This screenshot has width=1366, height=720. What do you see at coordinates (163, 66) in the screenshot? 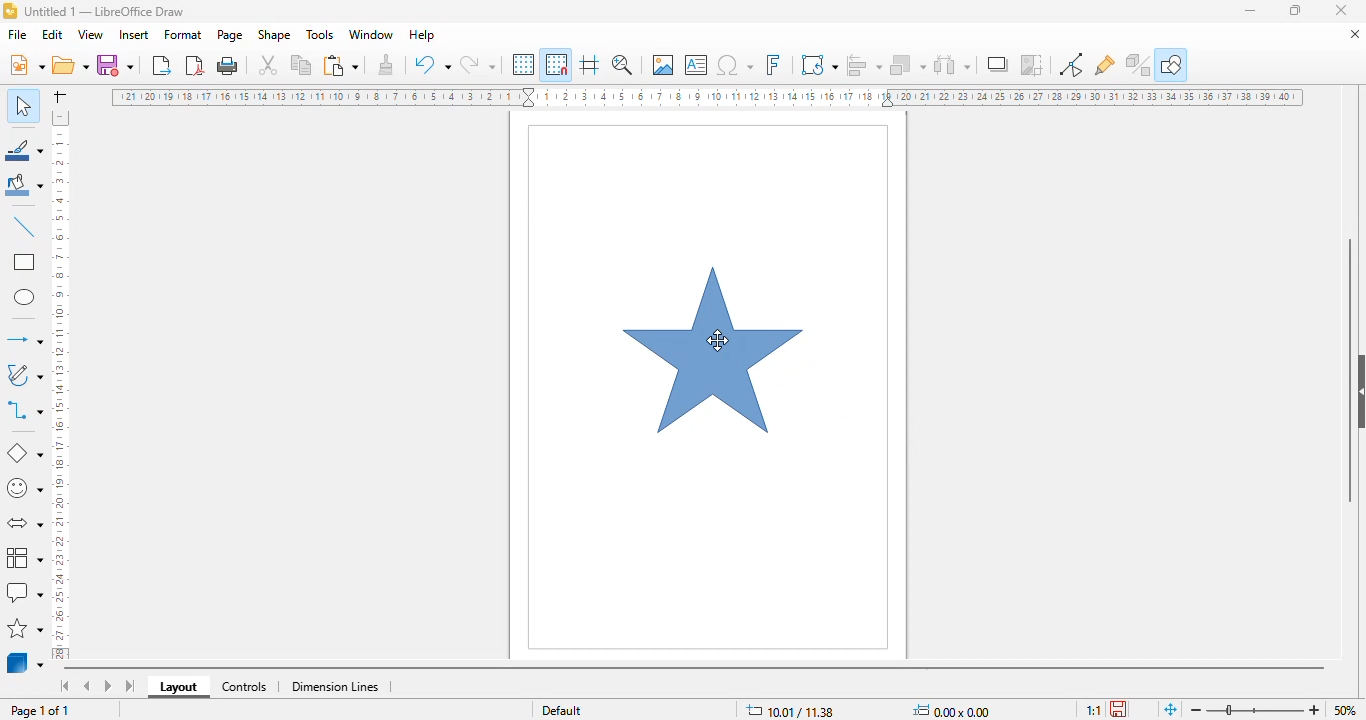
I see `export` at bounding box center [163, 66].